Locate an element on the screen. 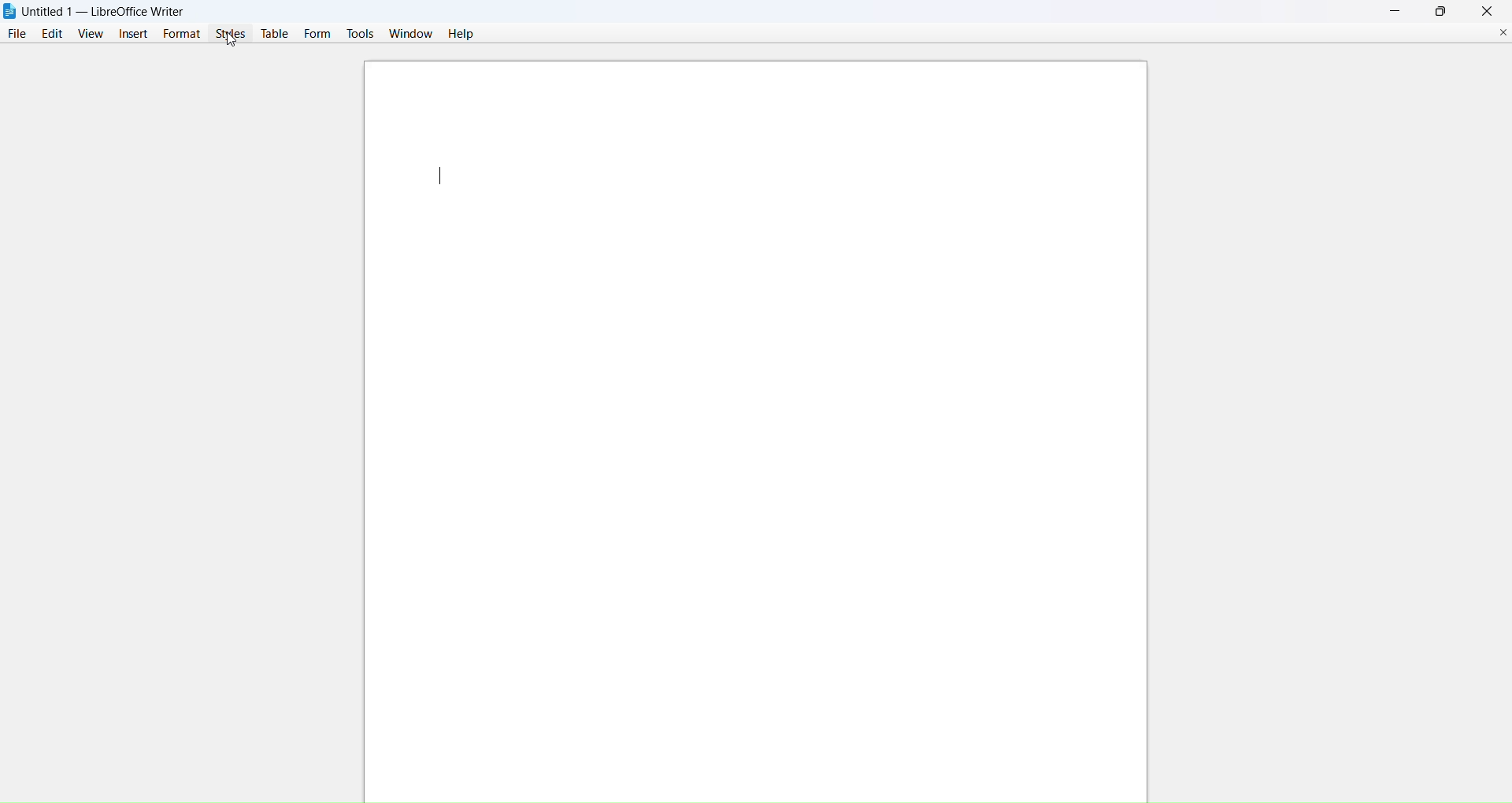 The height and width of the screenshot is (803, 1512). format is located at coordinates (184, 34).